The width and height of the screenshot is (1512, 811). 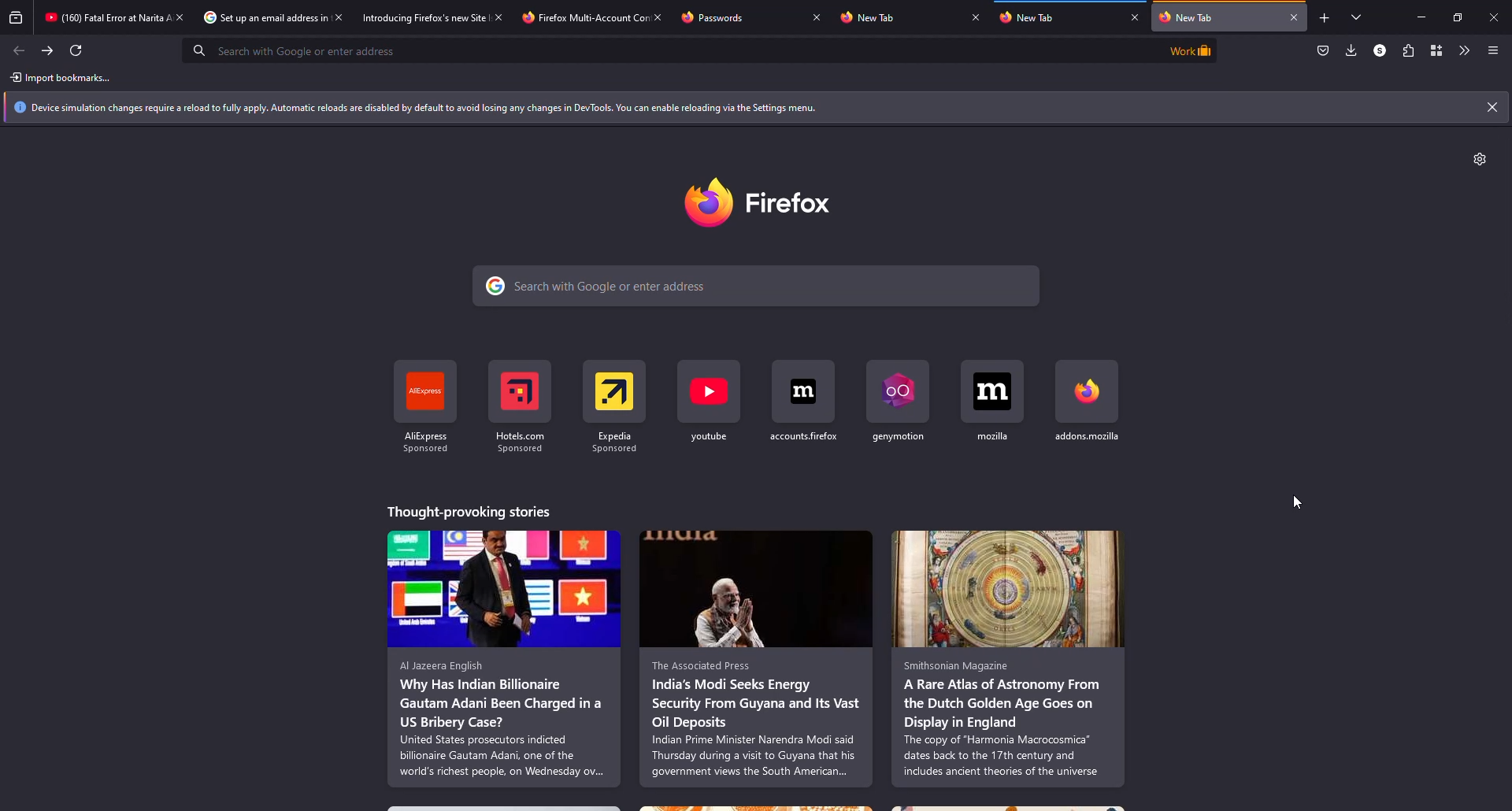 I want to click on Story banner, so click(x=756, y=588).